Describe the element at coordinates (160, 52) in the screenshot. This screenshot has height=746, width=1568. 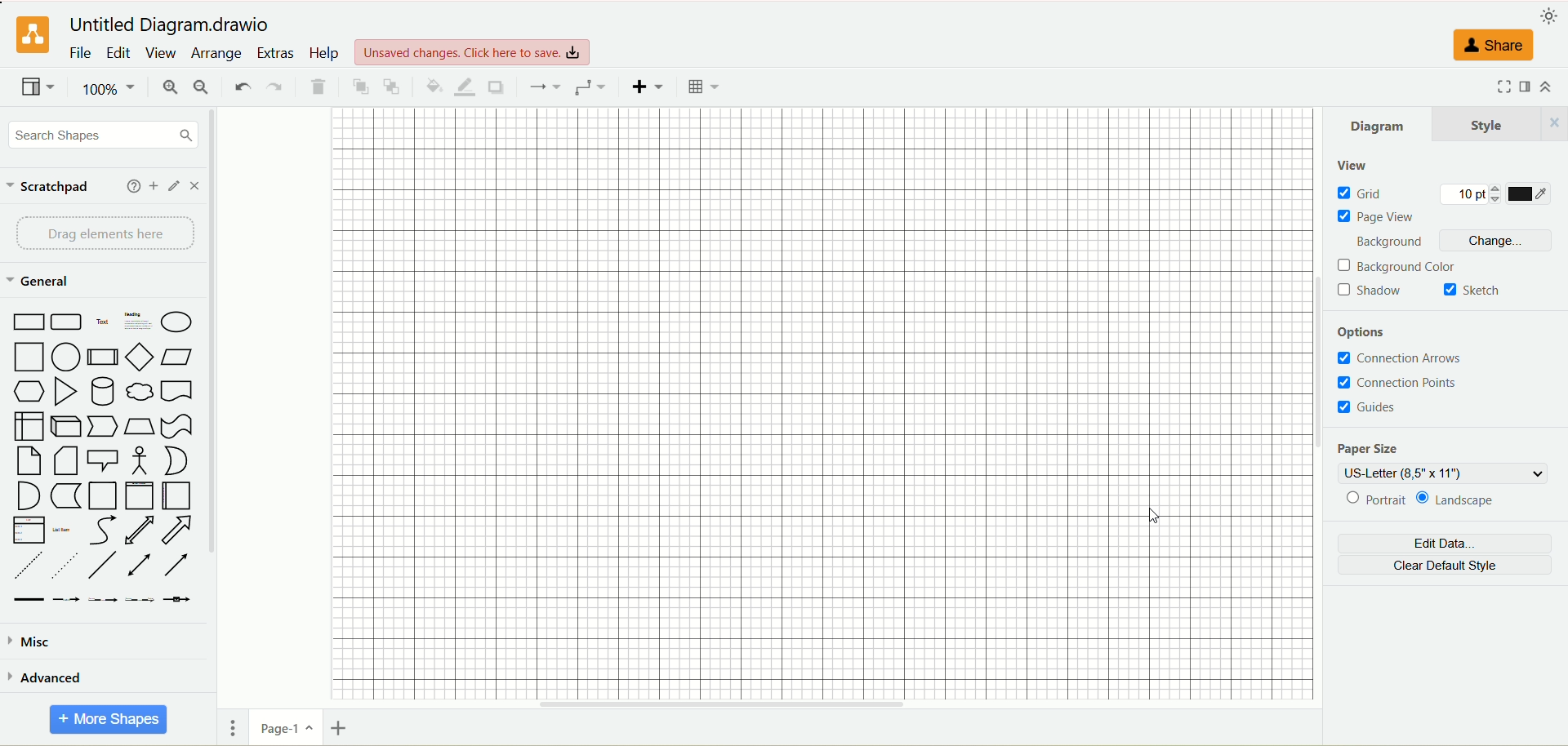
I see `view` at that location.